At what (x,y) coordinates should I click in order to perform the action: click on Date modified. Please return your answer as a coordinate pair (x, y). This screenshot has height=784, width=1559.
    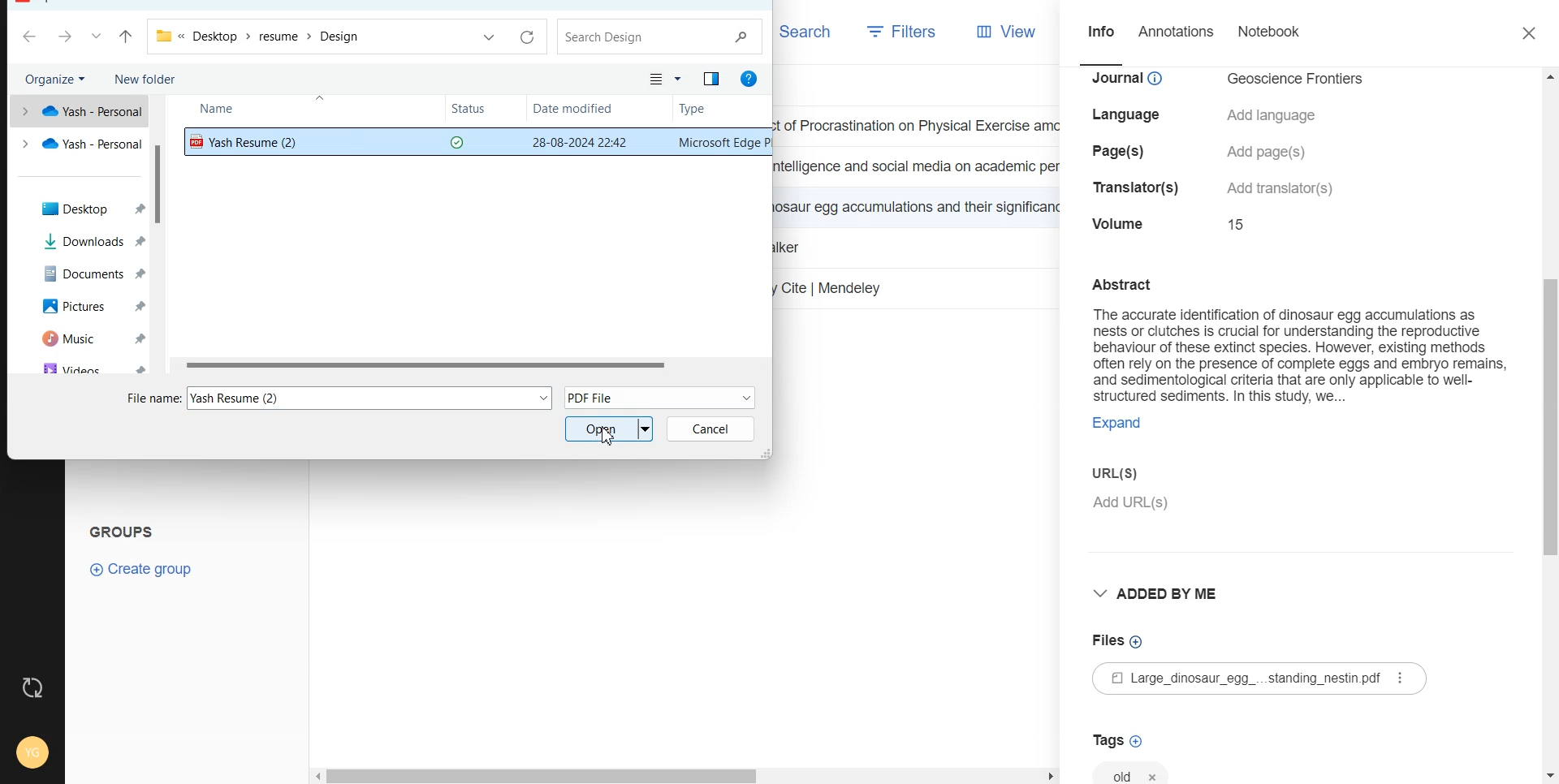
    Looking at the image, I should click on (577, 110).